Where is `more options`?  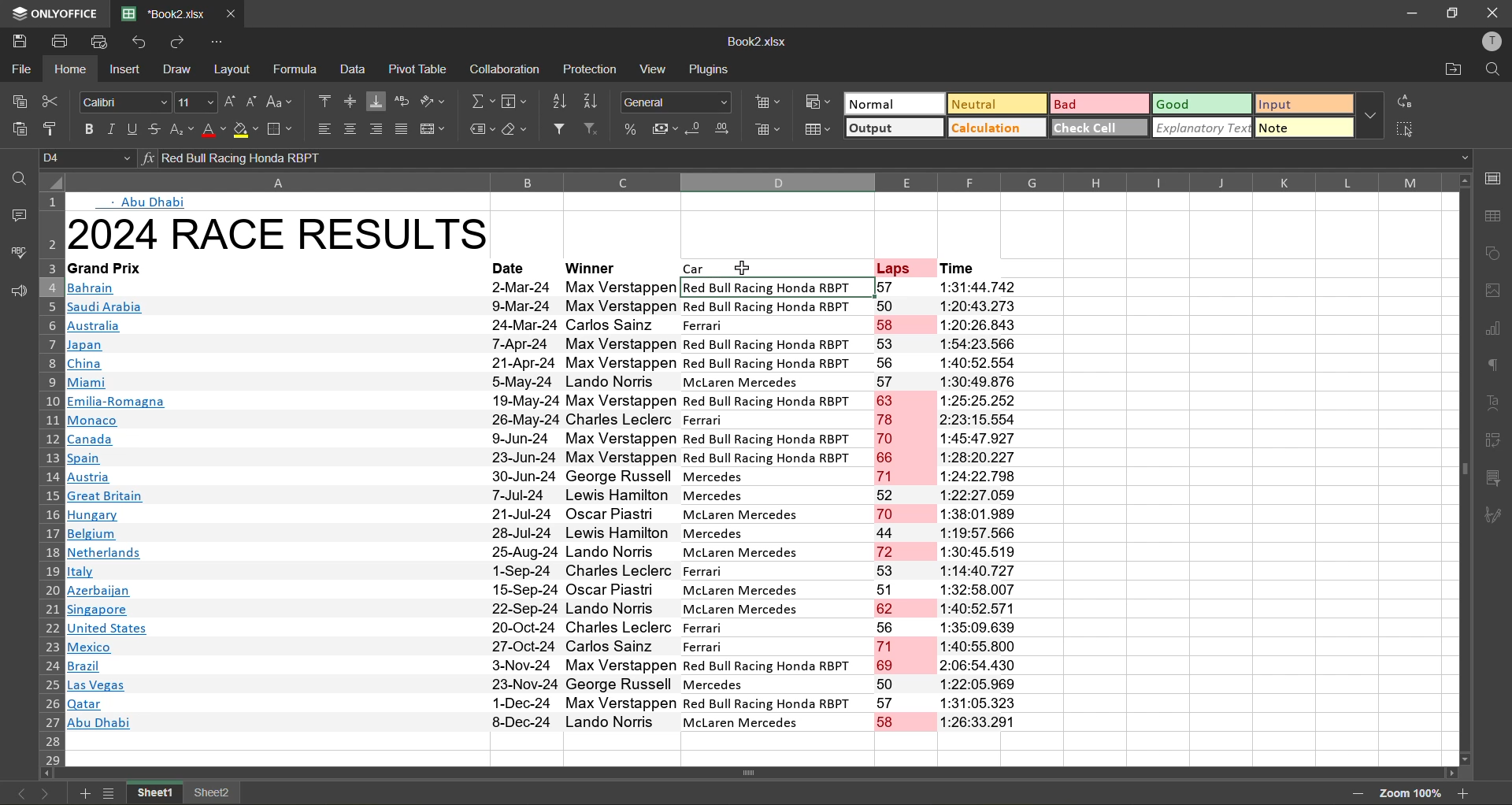
more options is located at coordinates (1373, 114).